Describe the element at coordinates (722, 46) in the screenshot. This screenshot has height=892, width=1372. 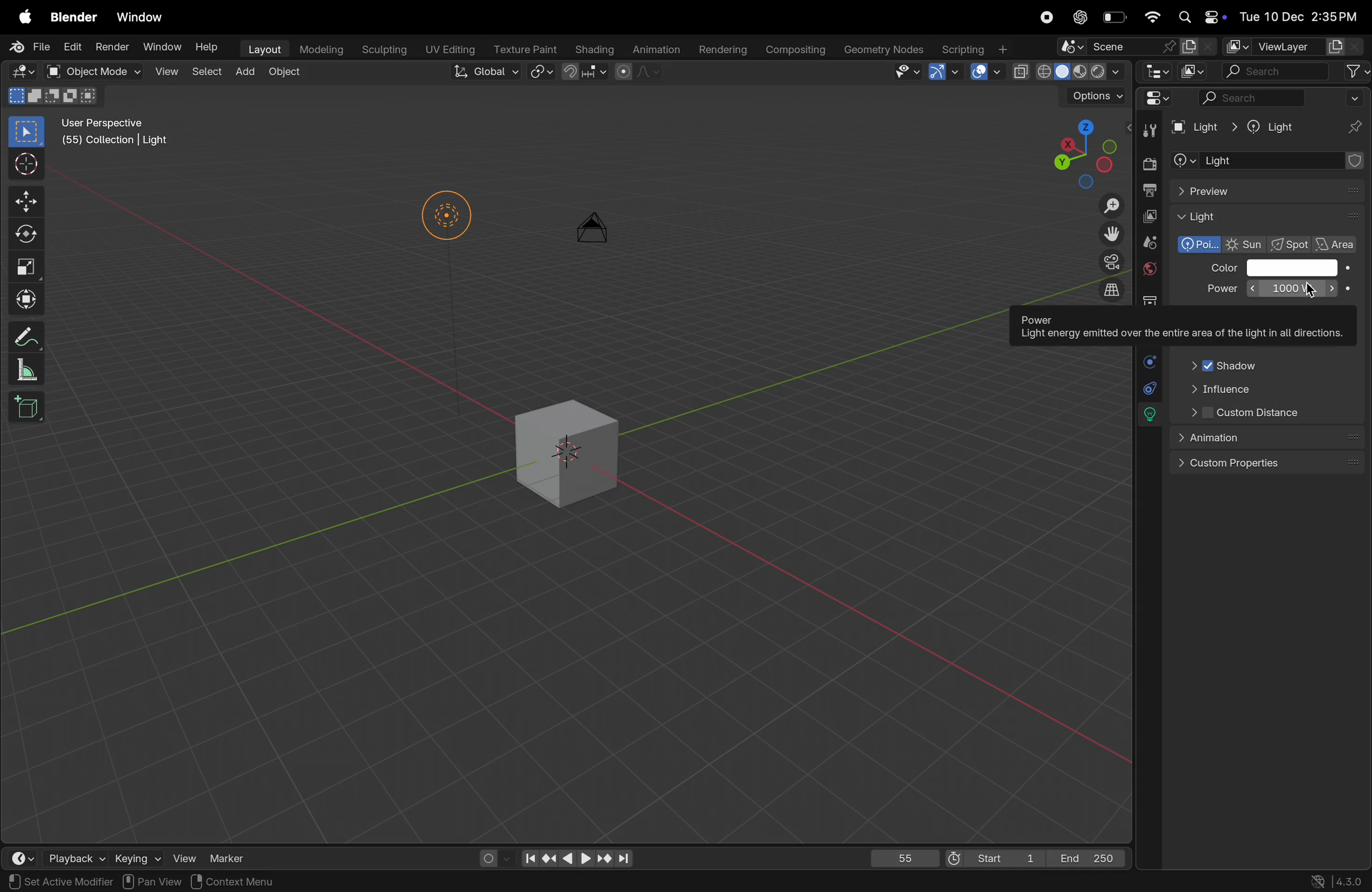
I see `rendering` at that location.